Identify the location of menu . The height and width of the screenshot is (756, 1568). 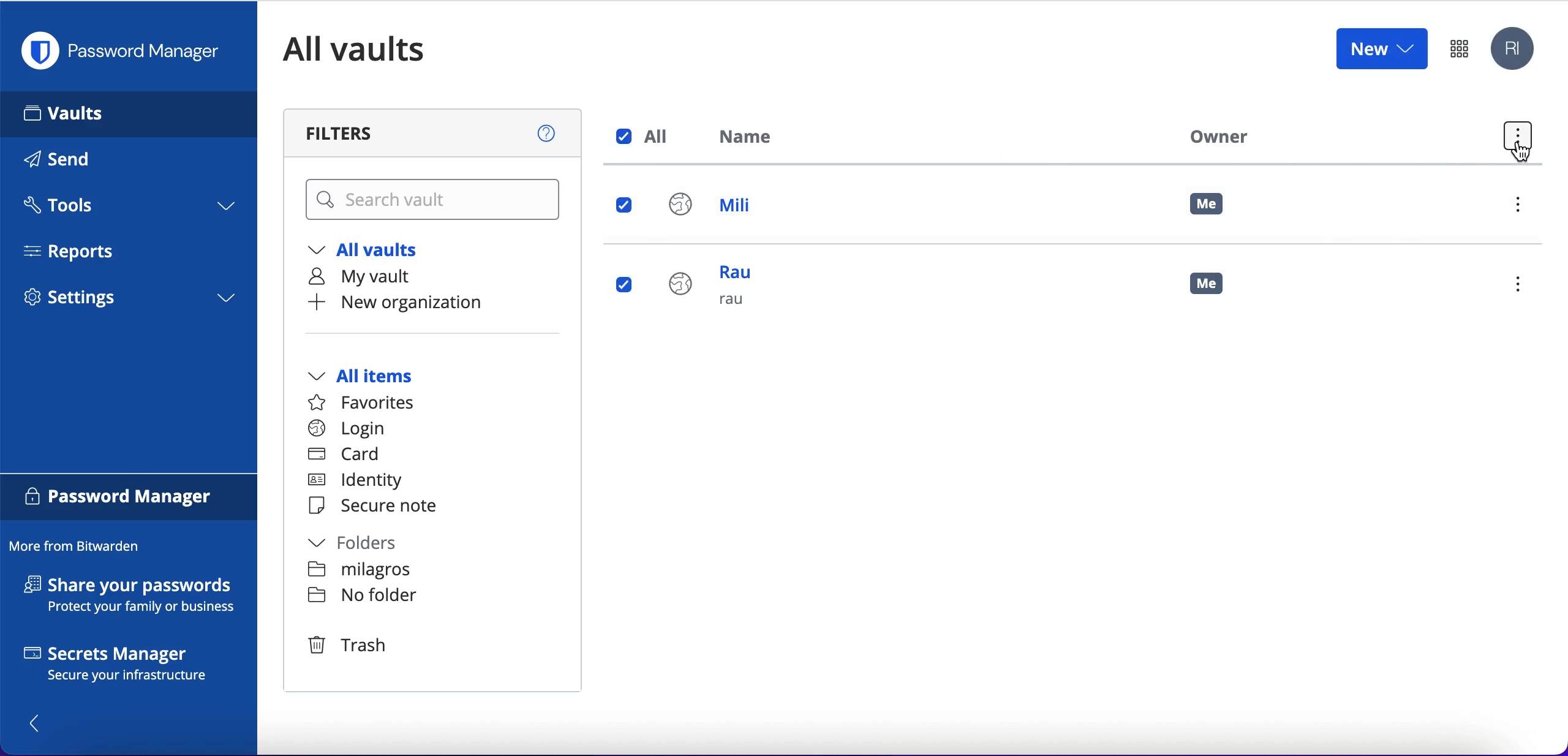
(1523, 208).